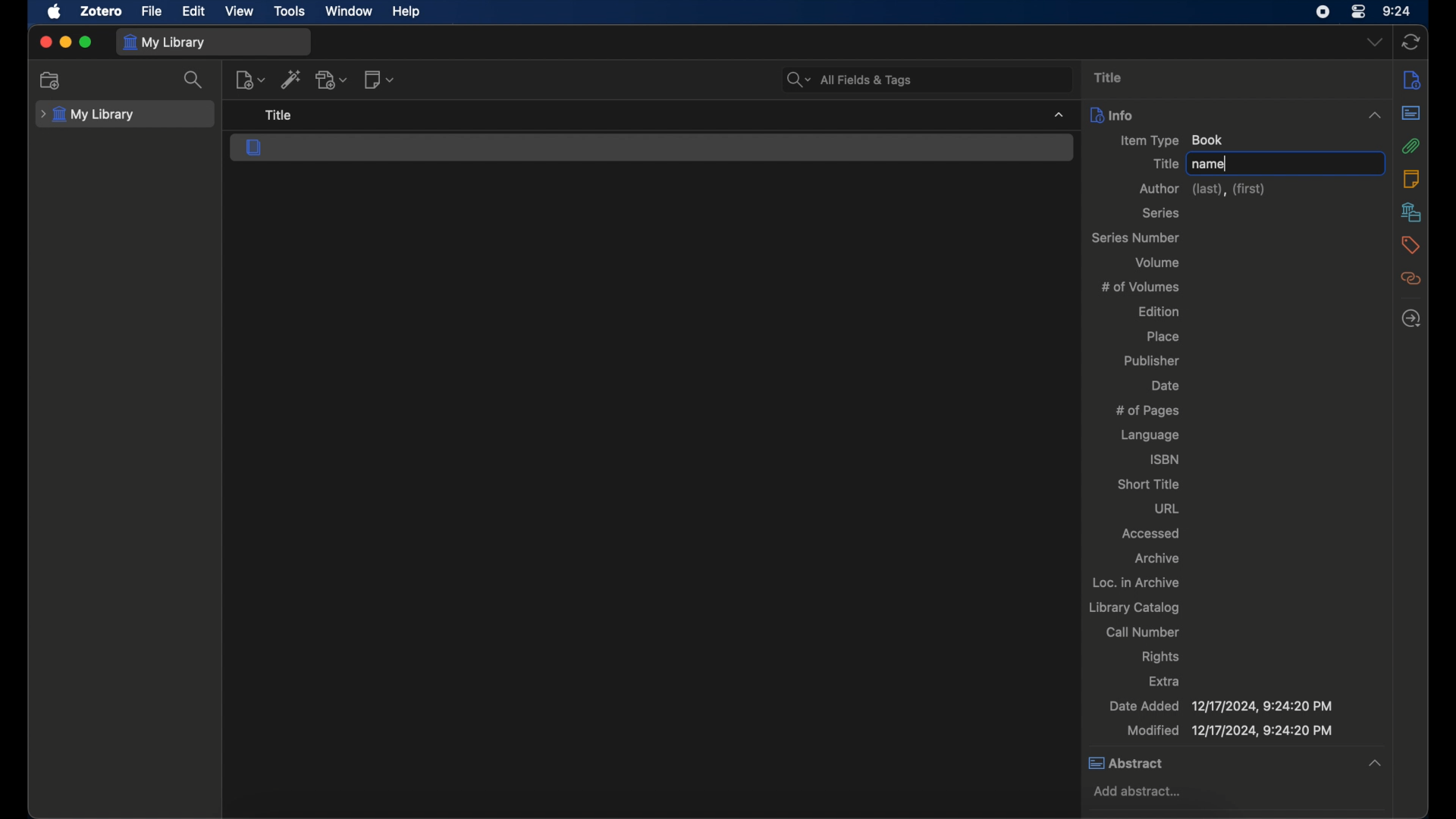 The height and width of the screenshot is (819, 1456). Describe the element at coordinates (1138, 582) in the screenshot. I see `loc. in archive` at that location.